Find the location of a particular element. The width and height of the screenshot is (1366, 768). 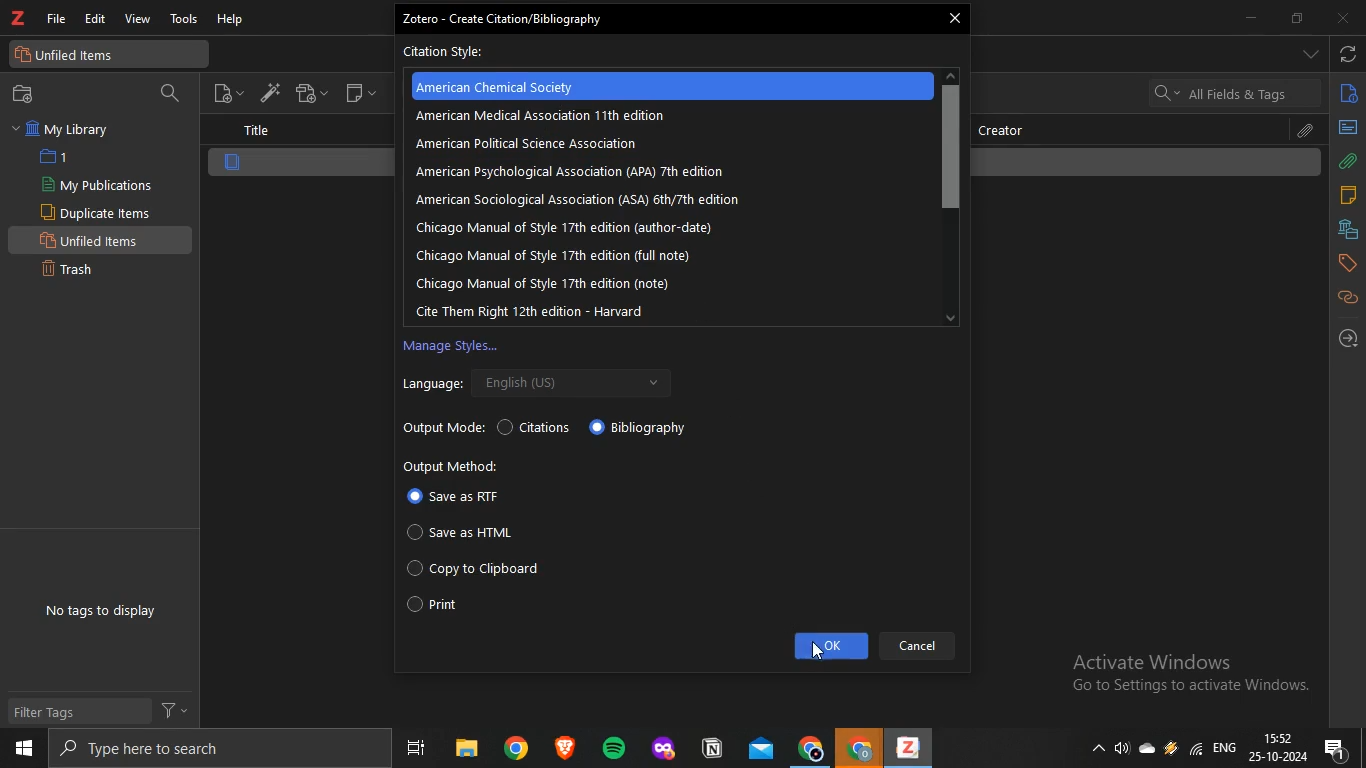

mail is located at coordinates (763, 748).